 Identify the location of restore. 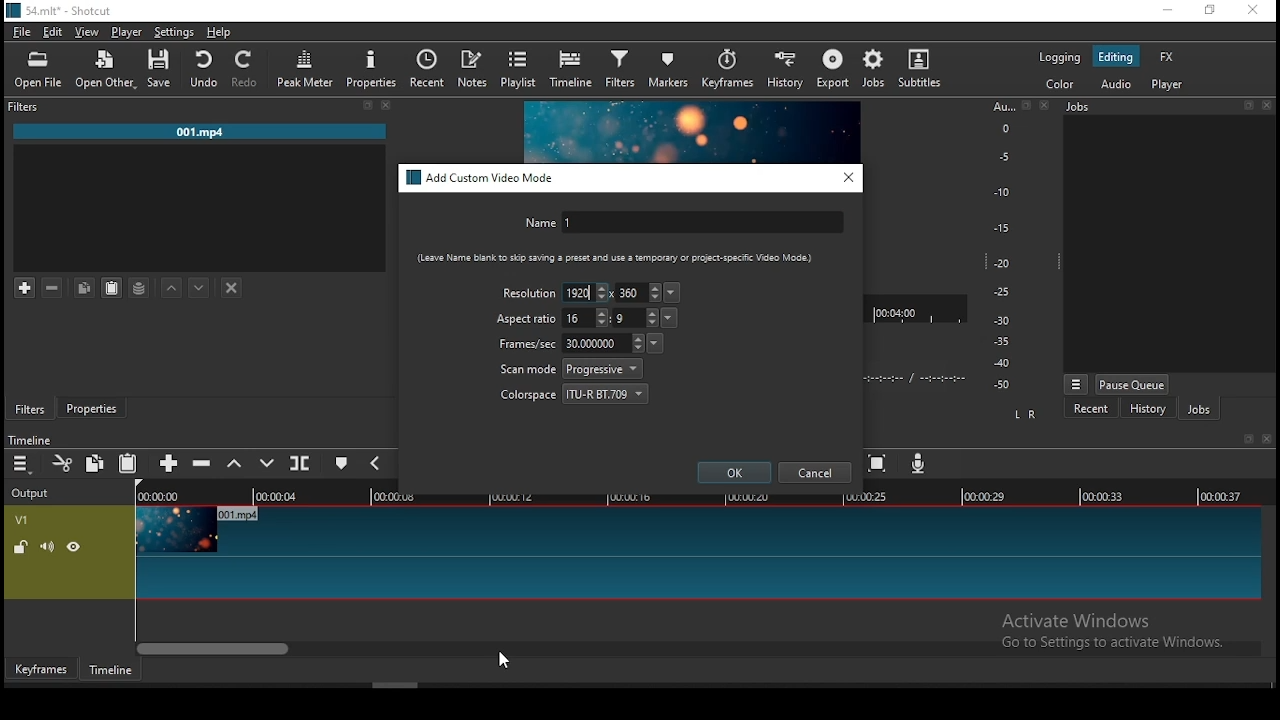
(367, 106).